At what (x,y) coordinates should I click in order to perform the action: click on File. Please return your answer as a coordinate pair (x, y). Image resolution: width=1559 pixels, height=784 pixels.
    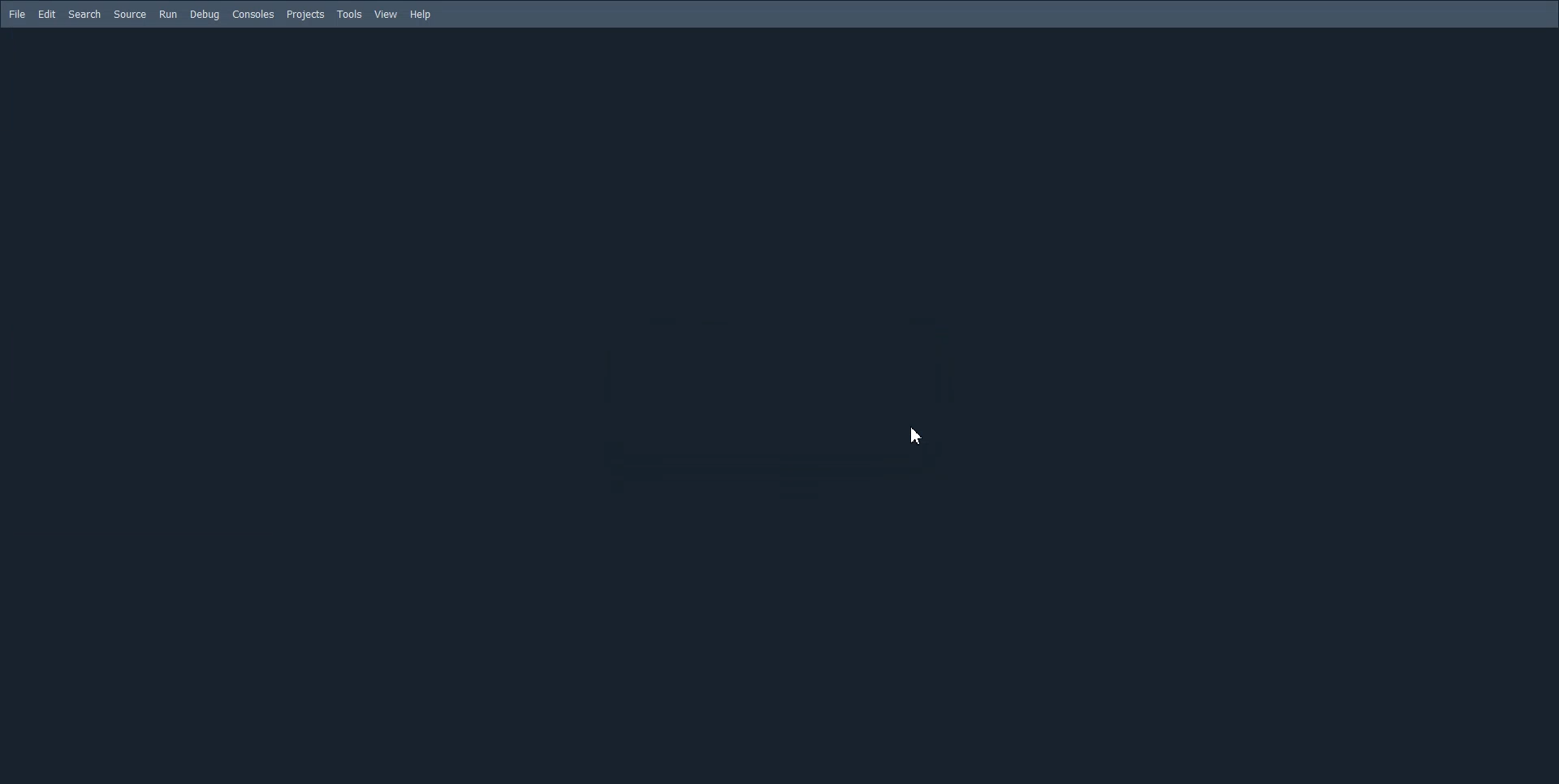
    Looking at the image, I should click on (18, 15).